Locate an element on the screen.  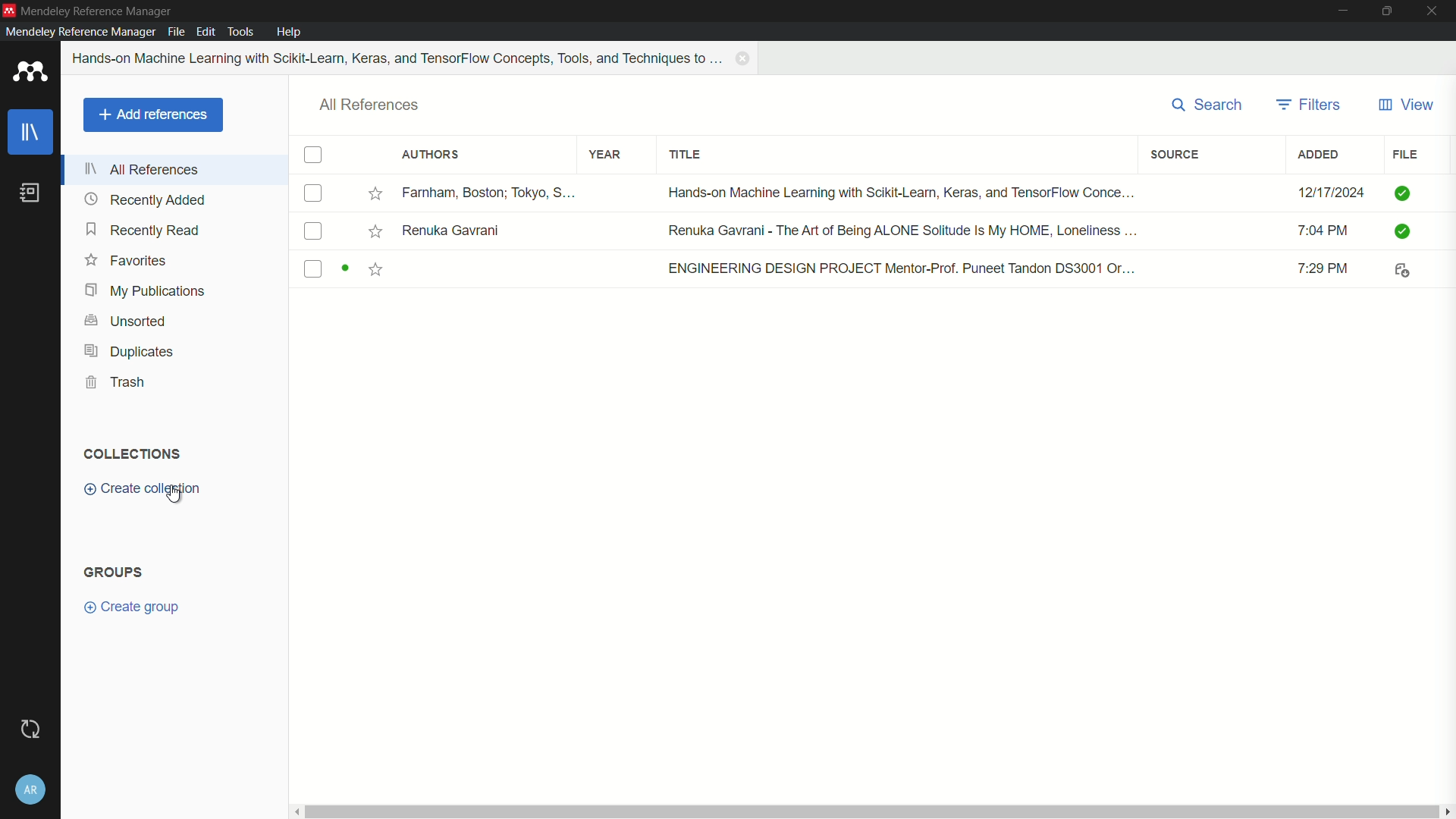
all references is located at coordinates (142, 169).